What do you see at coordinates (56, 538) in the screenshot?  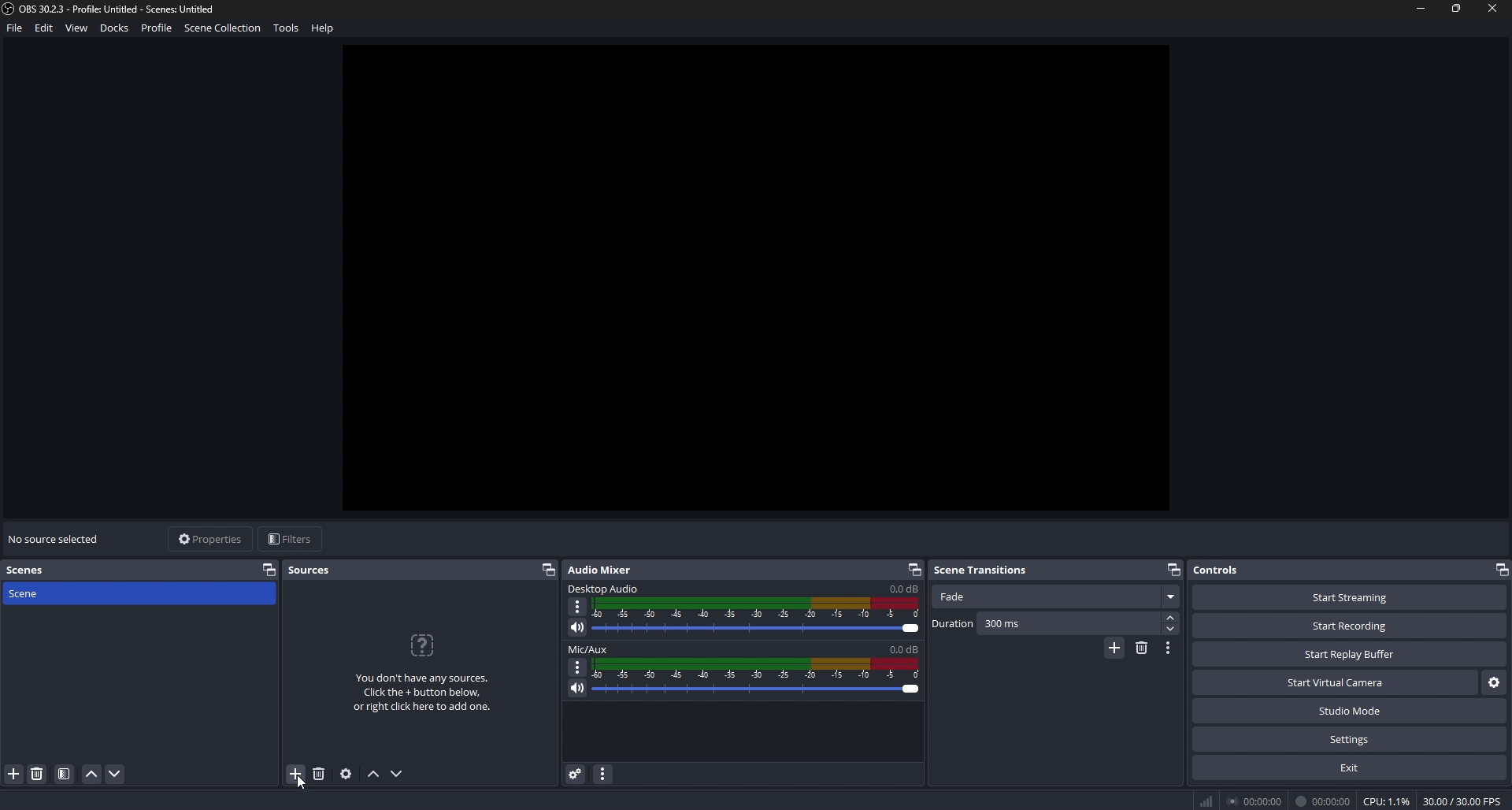 I see `no source selected` at bounding box center [56, 538].